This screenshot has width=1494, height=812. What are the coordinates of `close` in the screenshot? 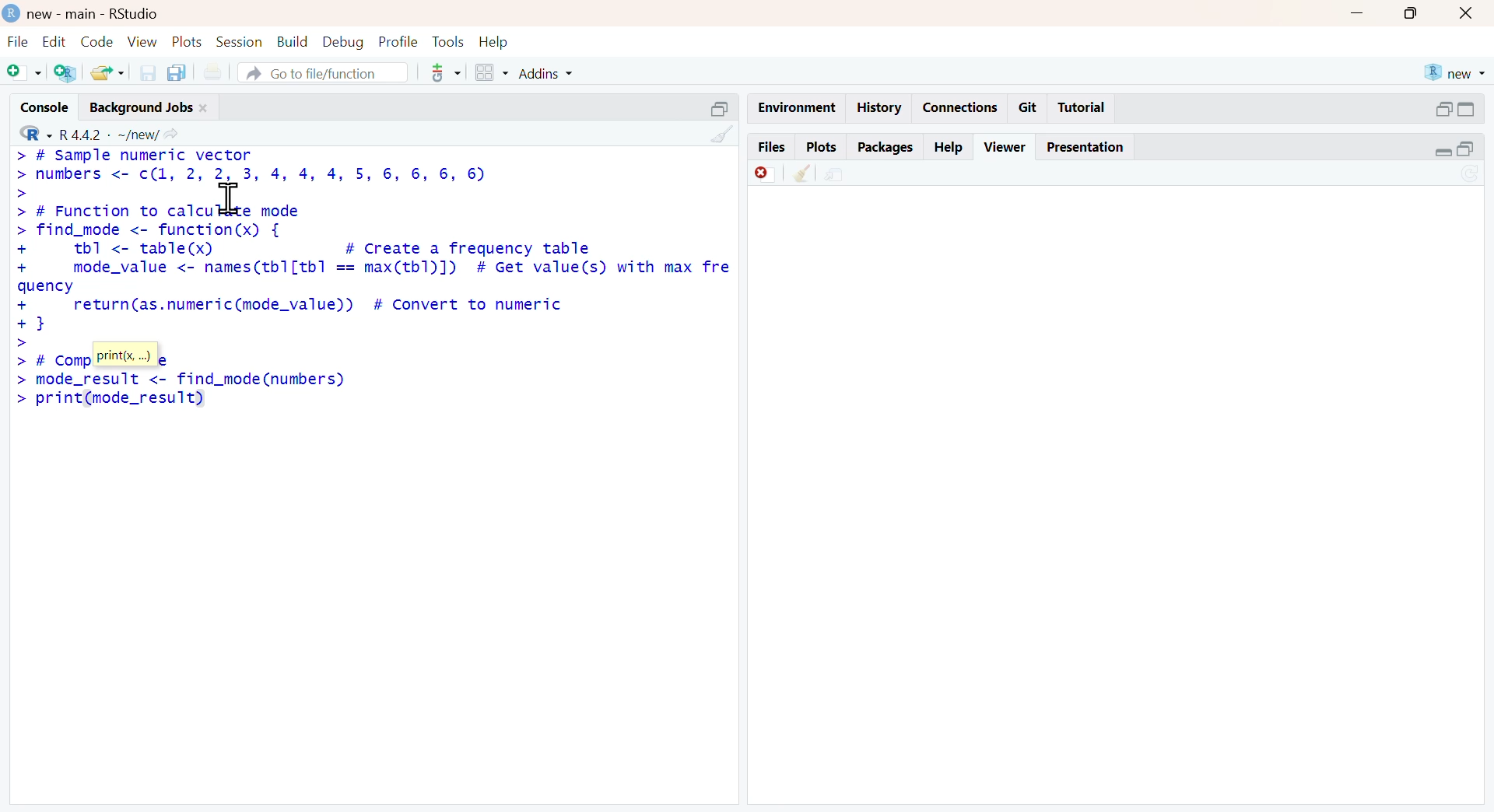 It's located at (205, 108).